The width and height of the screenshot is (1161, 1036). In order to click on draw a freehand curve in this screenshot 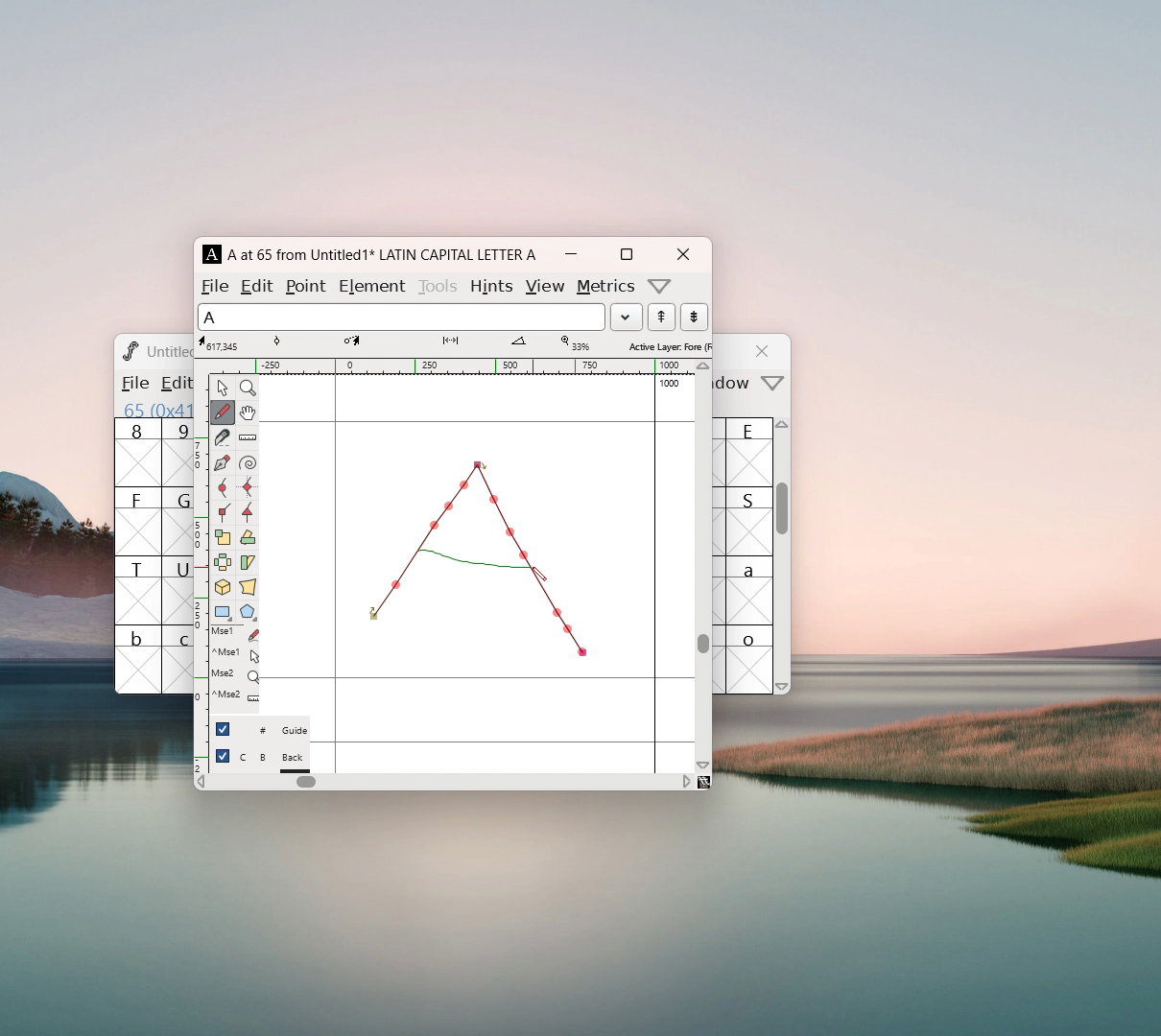, I will do `click(223, 412)`.